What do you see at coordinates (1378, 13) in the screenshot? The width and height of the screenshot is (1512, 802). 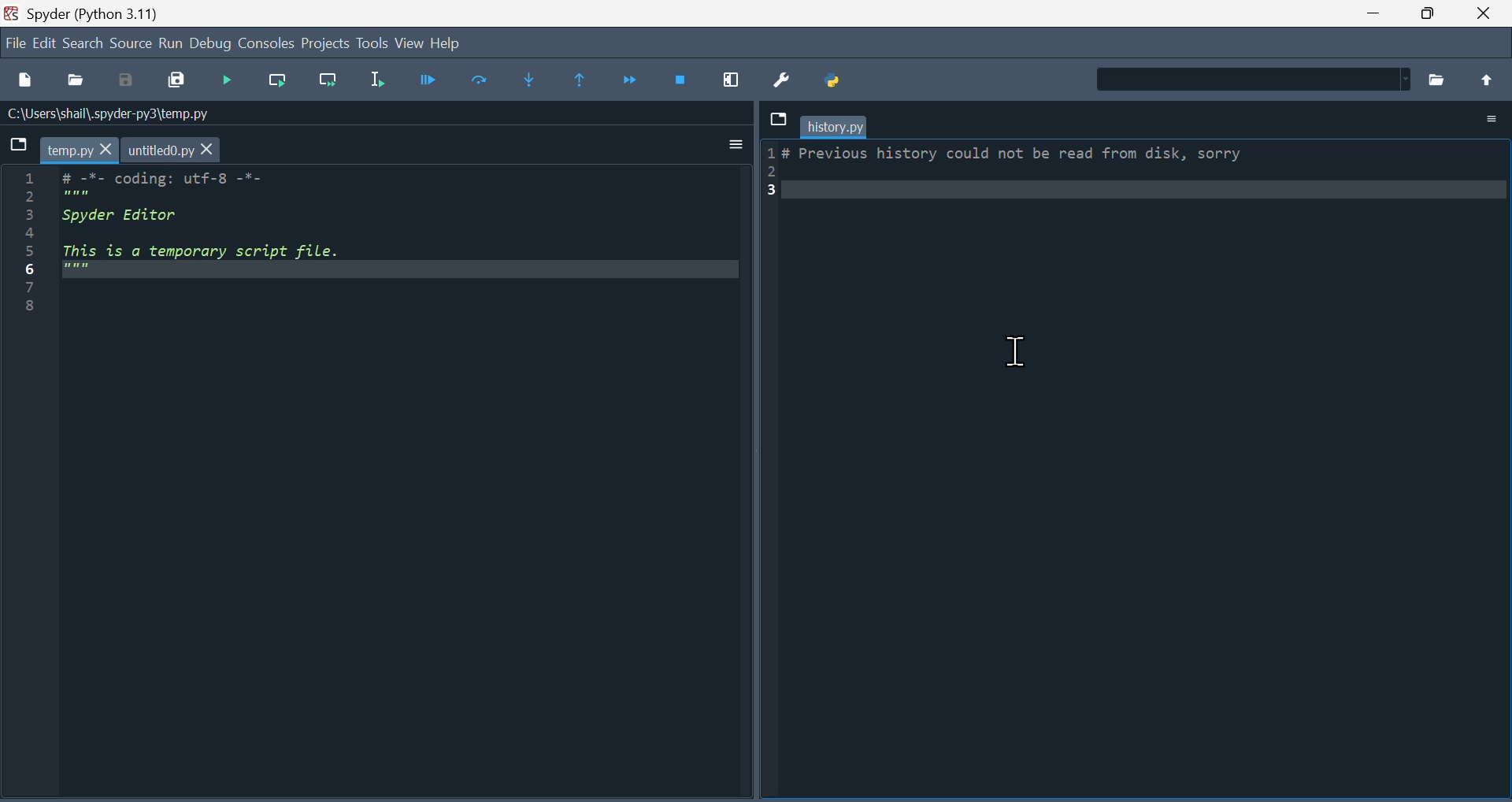 I see `minimise` at bounding box center [1378, 13].